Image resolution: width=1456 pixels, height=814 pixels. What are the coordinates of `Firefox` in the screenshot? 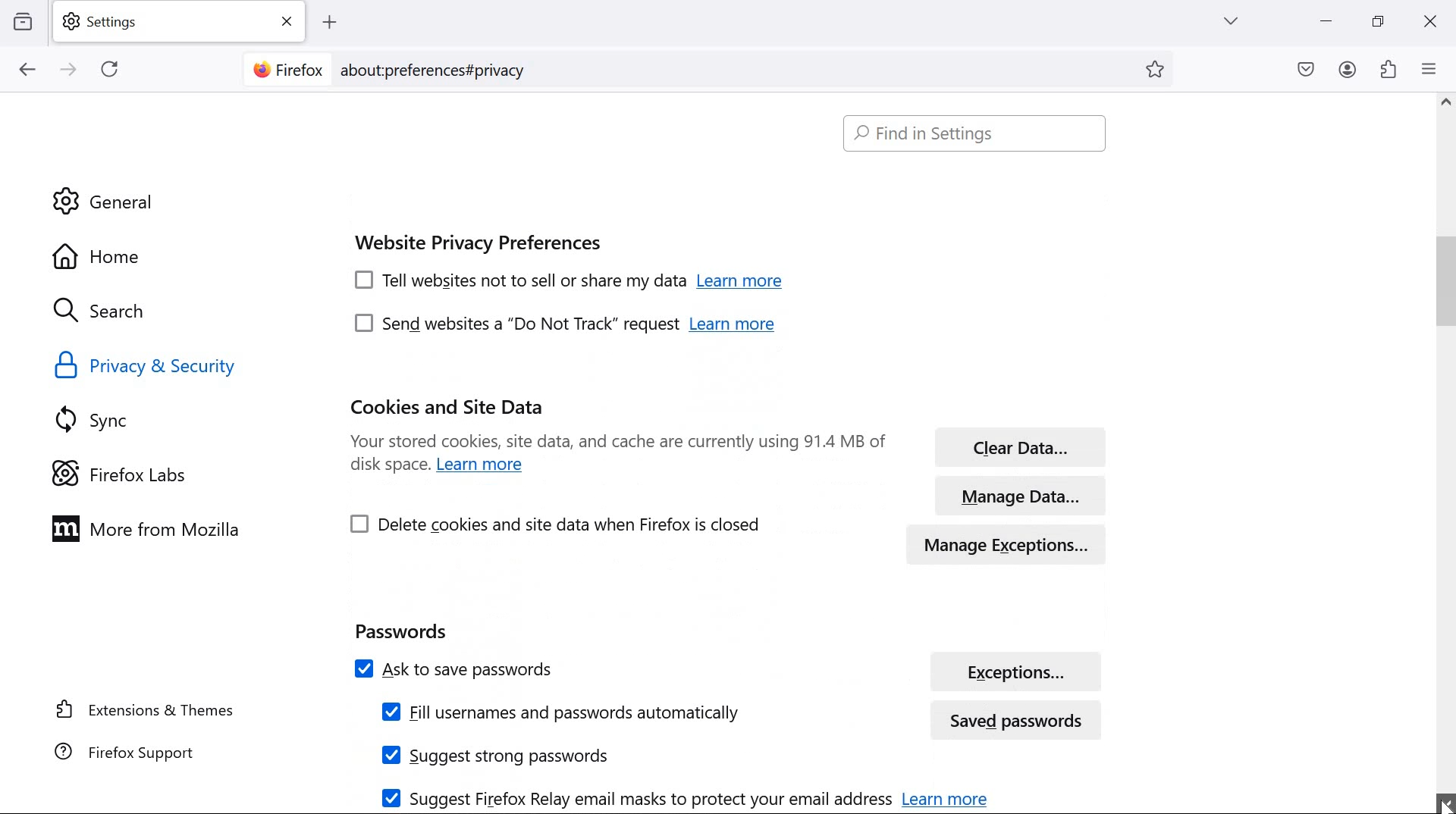 It's located at (287, 67).